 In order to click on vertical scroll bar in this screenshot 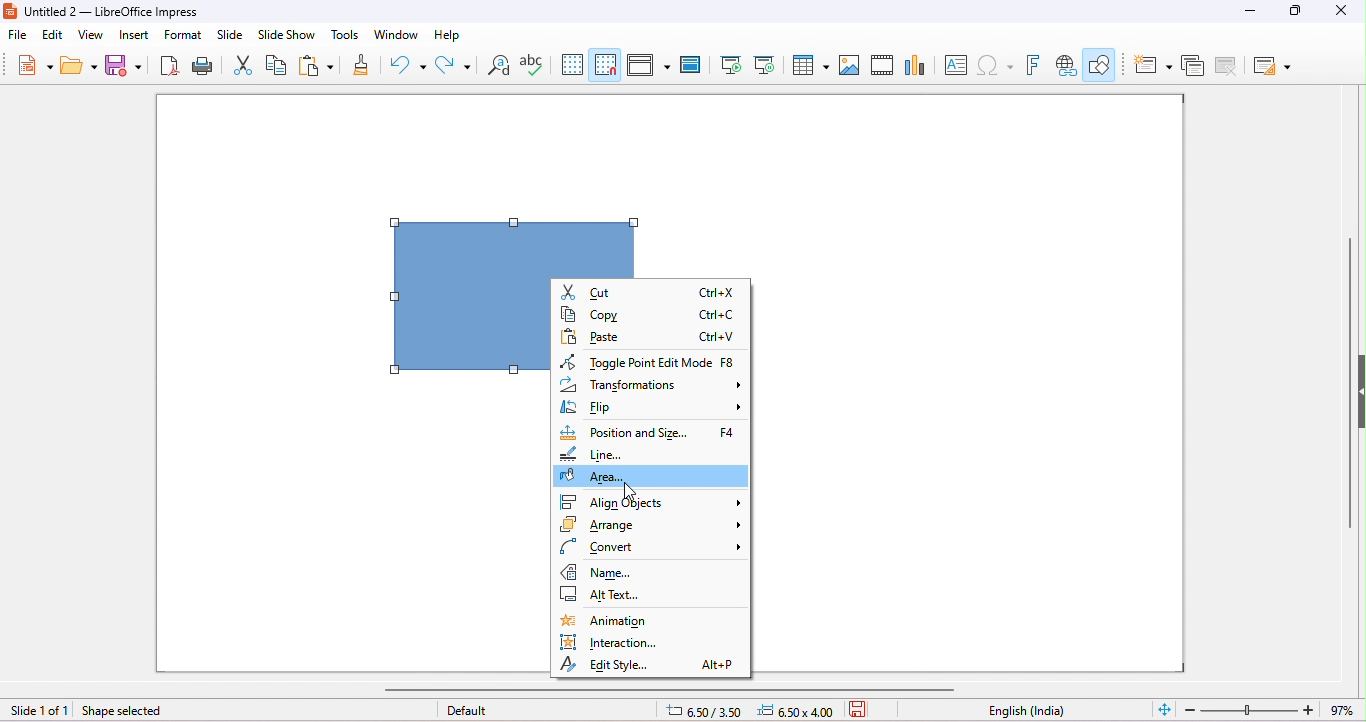, I will do `click(1347, 398)`.